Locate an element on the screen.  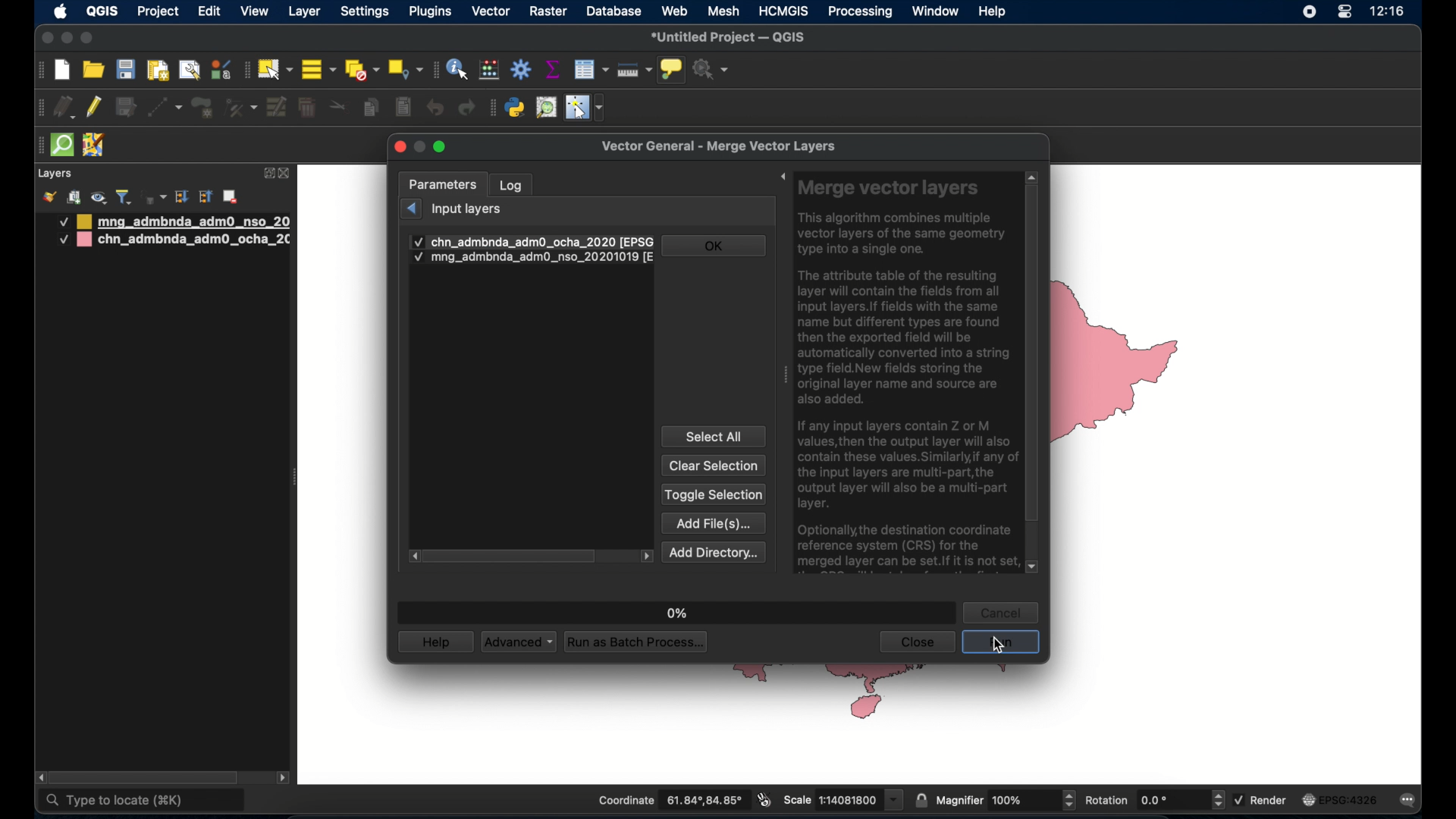
expand is located at coordinates (268, 172).